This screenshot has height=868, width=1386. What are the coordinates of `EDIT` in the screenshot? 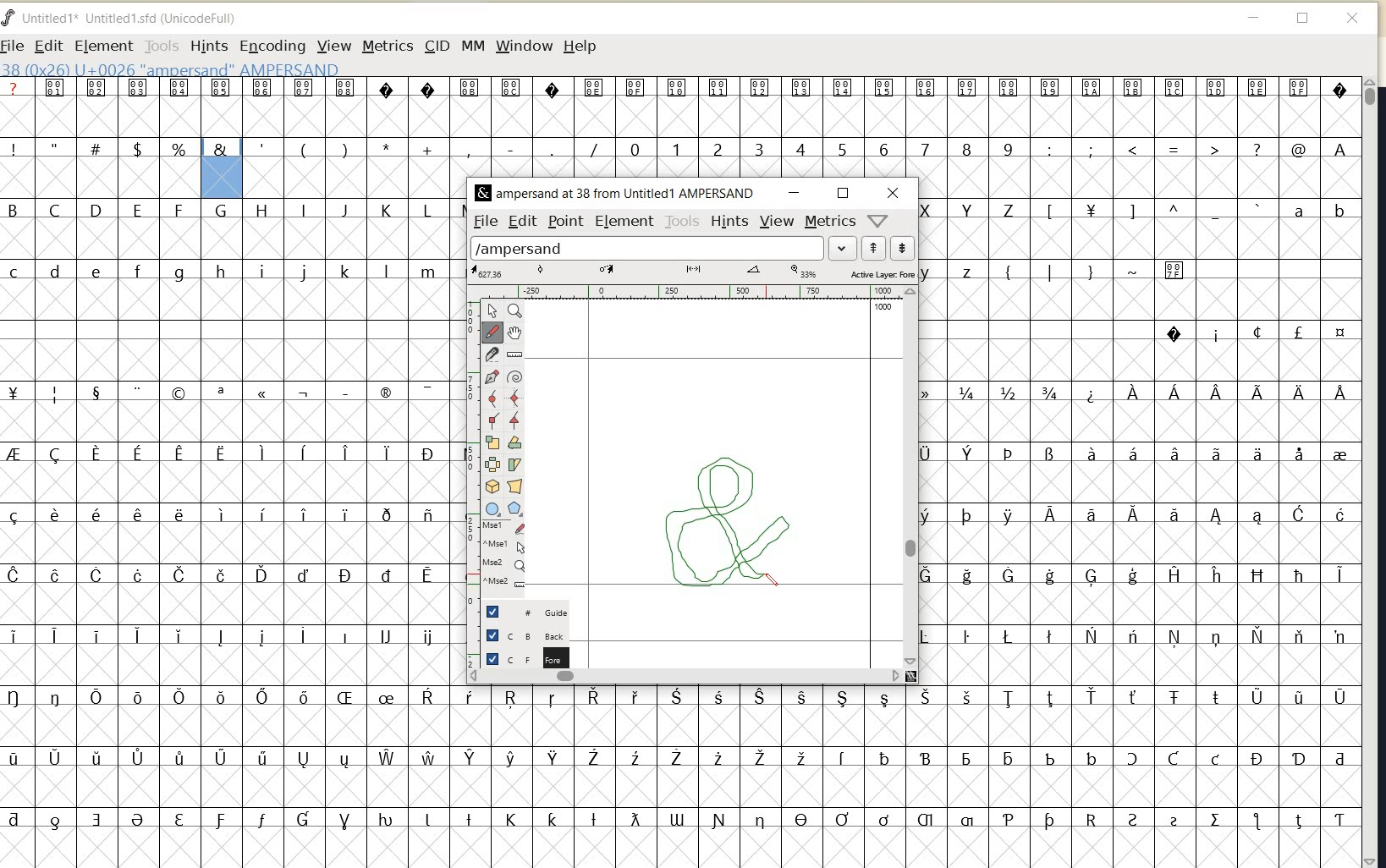 It's located at (46, 45).